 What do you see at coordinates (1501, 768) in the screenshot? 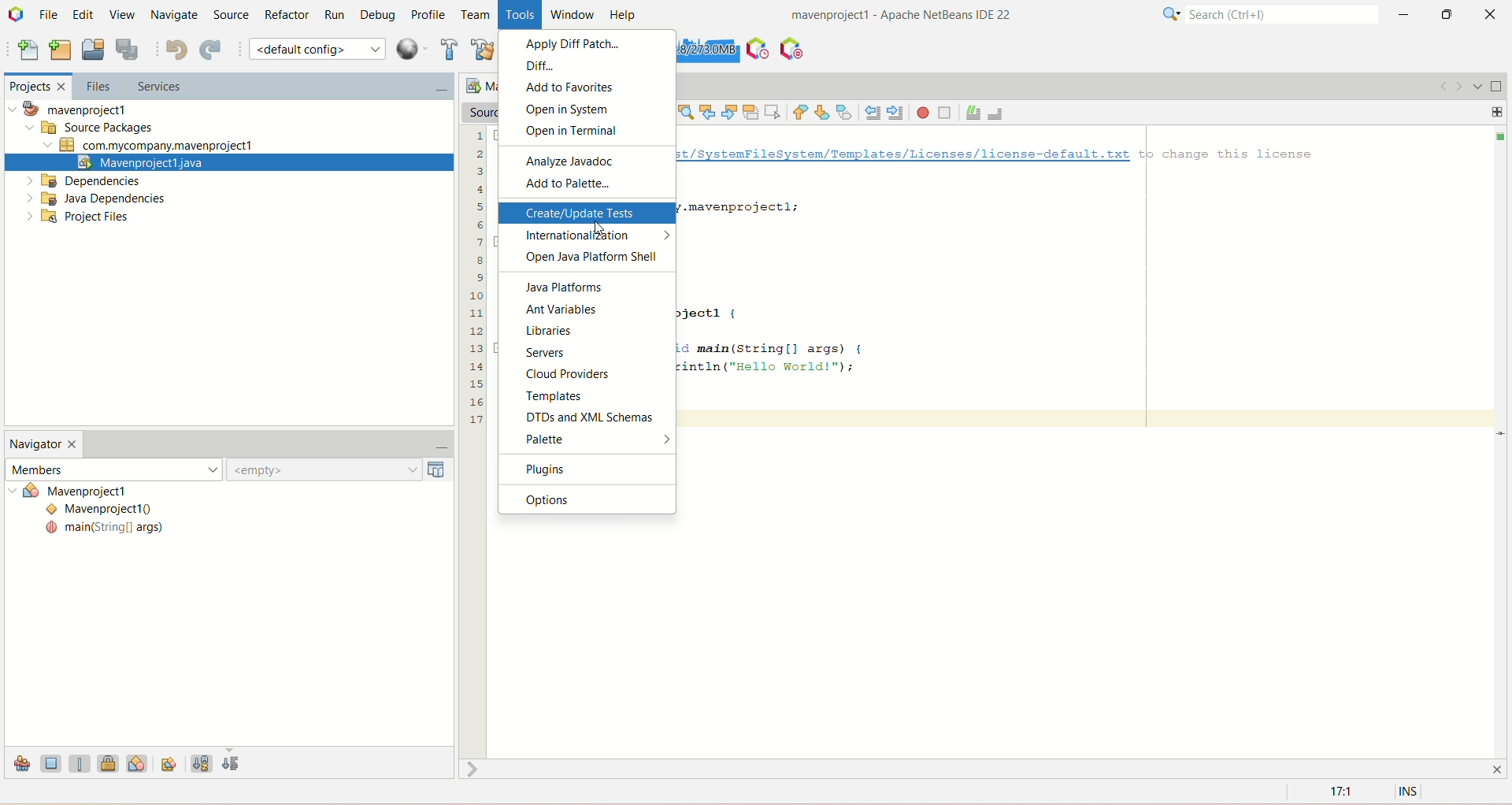
I see `close` at bounding box center [1501, 768].